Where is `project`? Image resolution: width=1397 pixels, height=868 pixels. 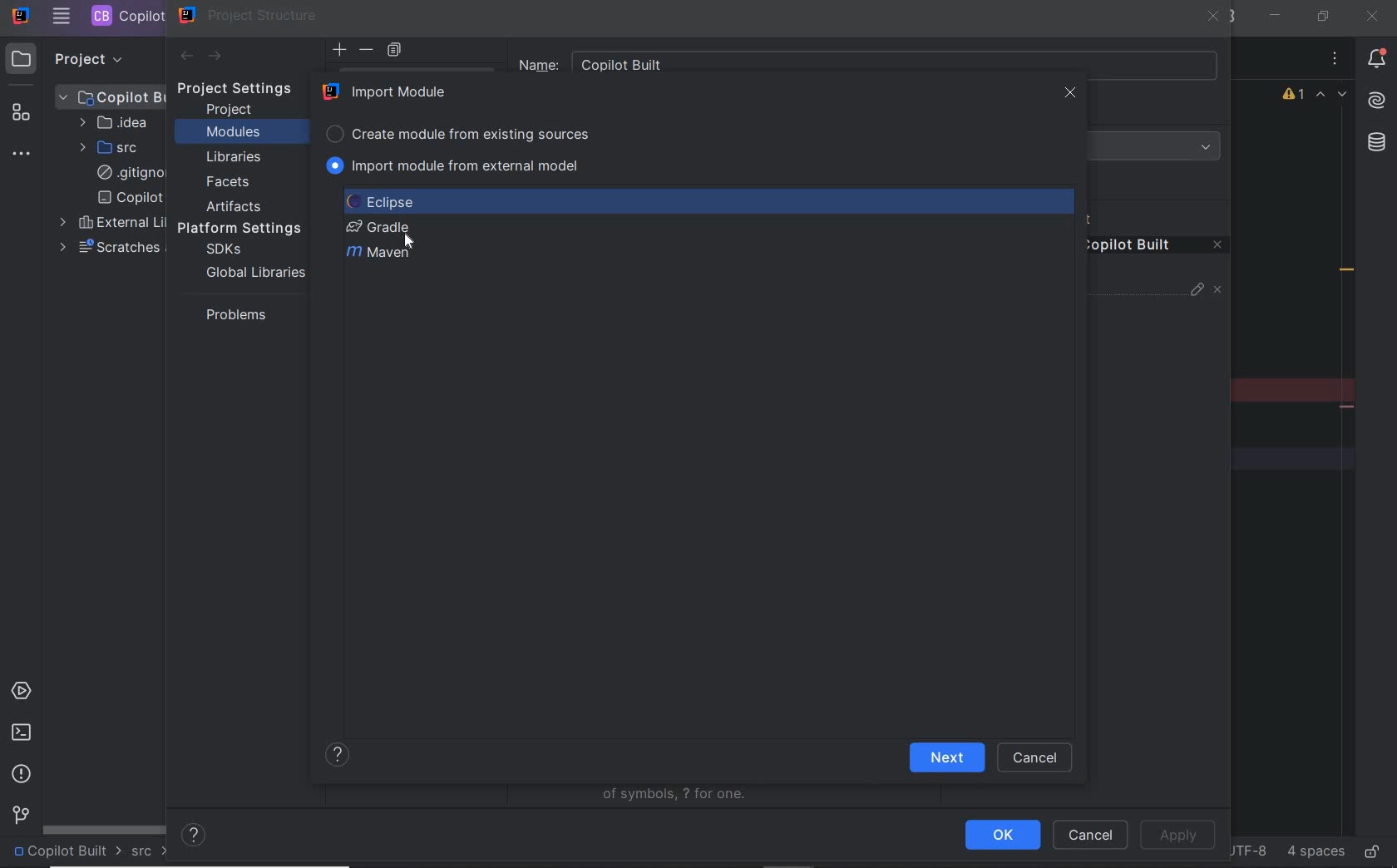 project is located at coordinates (230, 110).